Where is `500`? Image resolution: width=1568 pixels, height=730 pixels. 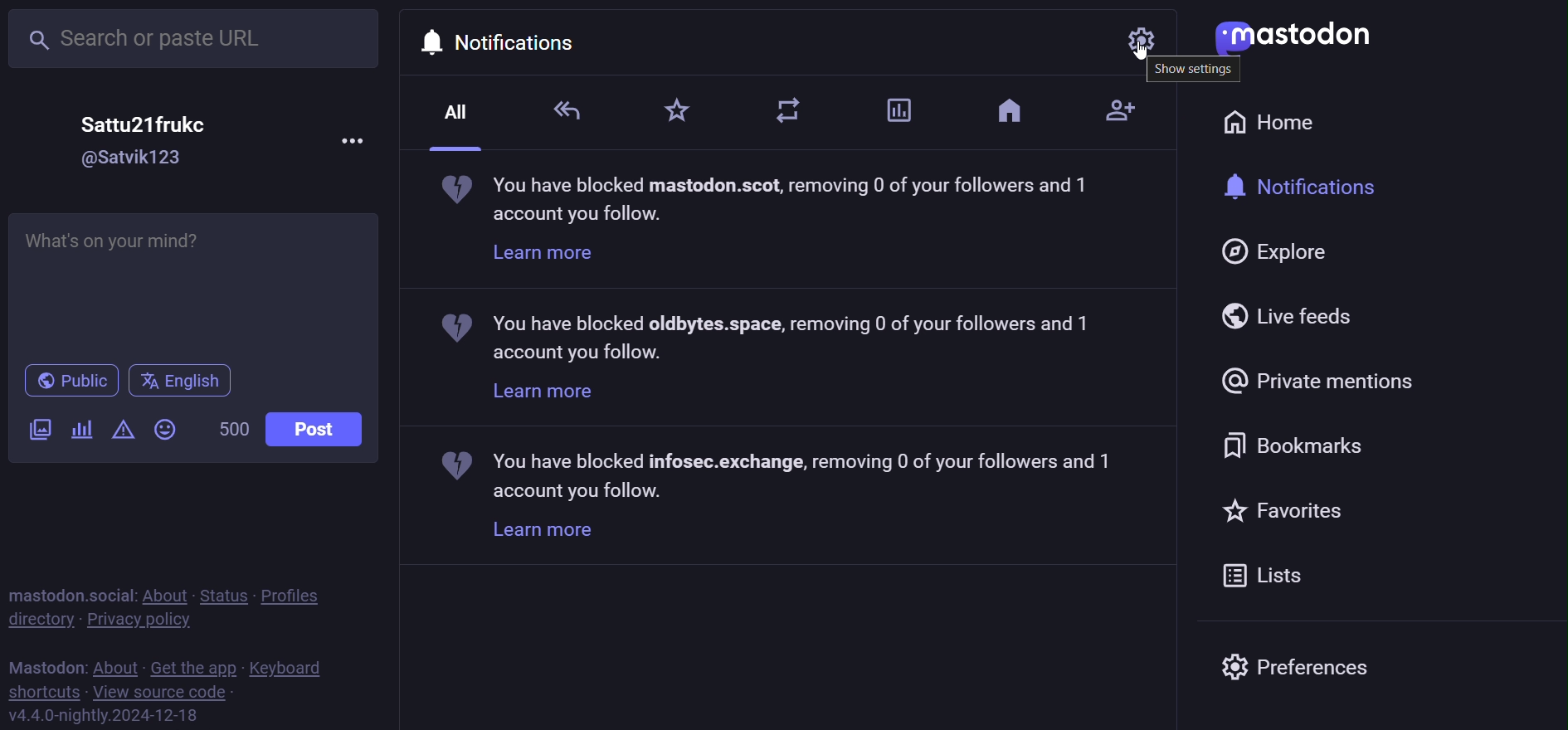 500 is located at coordinates (231, 428).